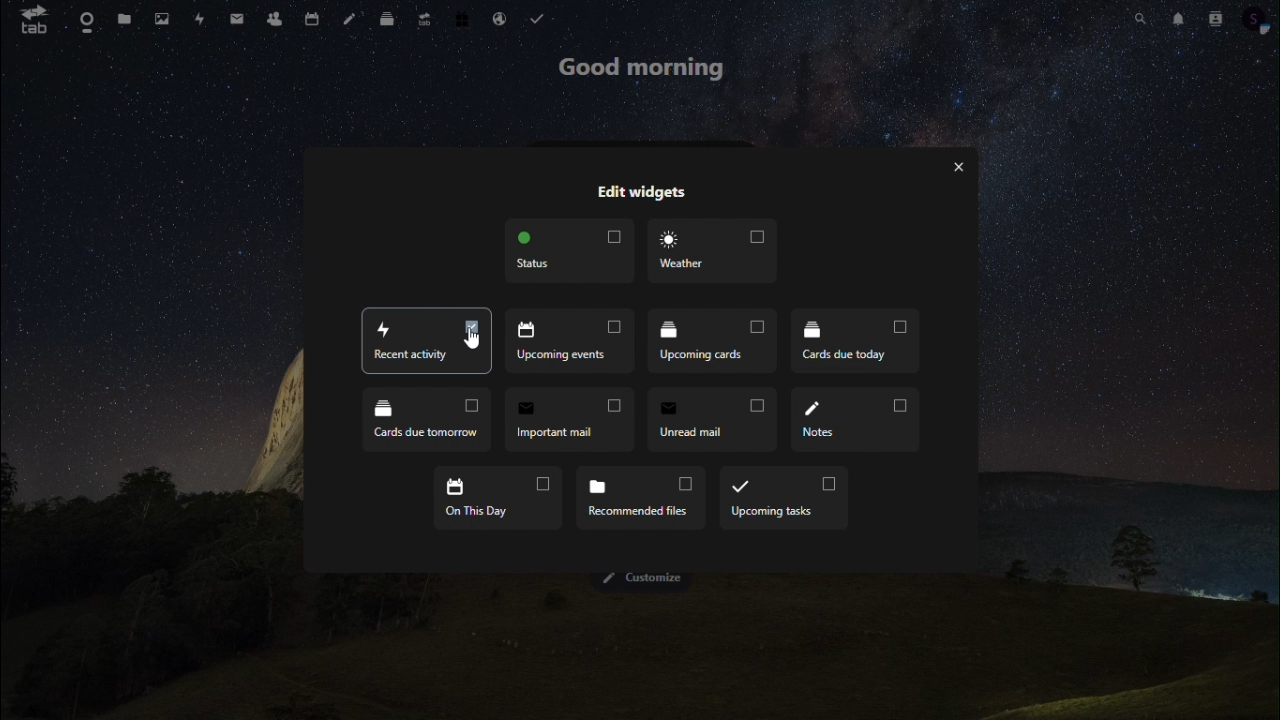  I want to click on exit, so click(954, 168).